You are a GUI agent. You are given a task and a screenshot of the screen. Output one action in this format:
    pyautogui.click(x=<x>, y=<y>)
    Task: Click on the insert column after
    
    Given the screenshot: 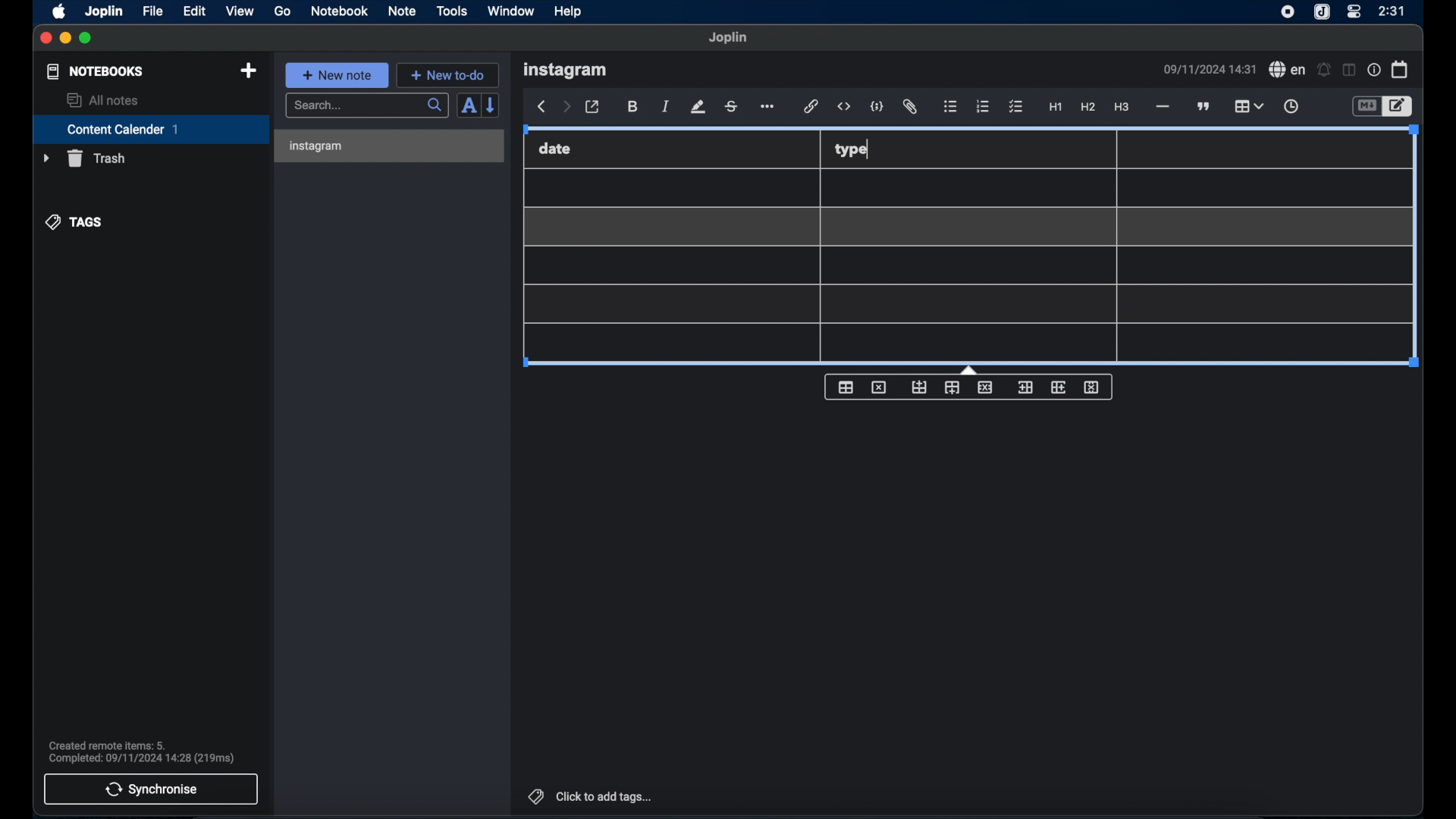 What is the action you would take?
    pyautogui.click(x=1058, y=388)
    